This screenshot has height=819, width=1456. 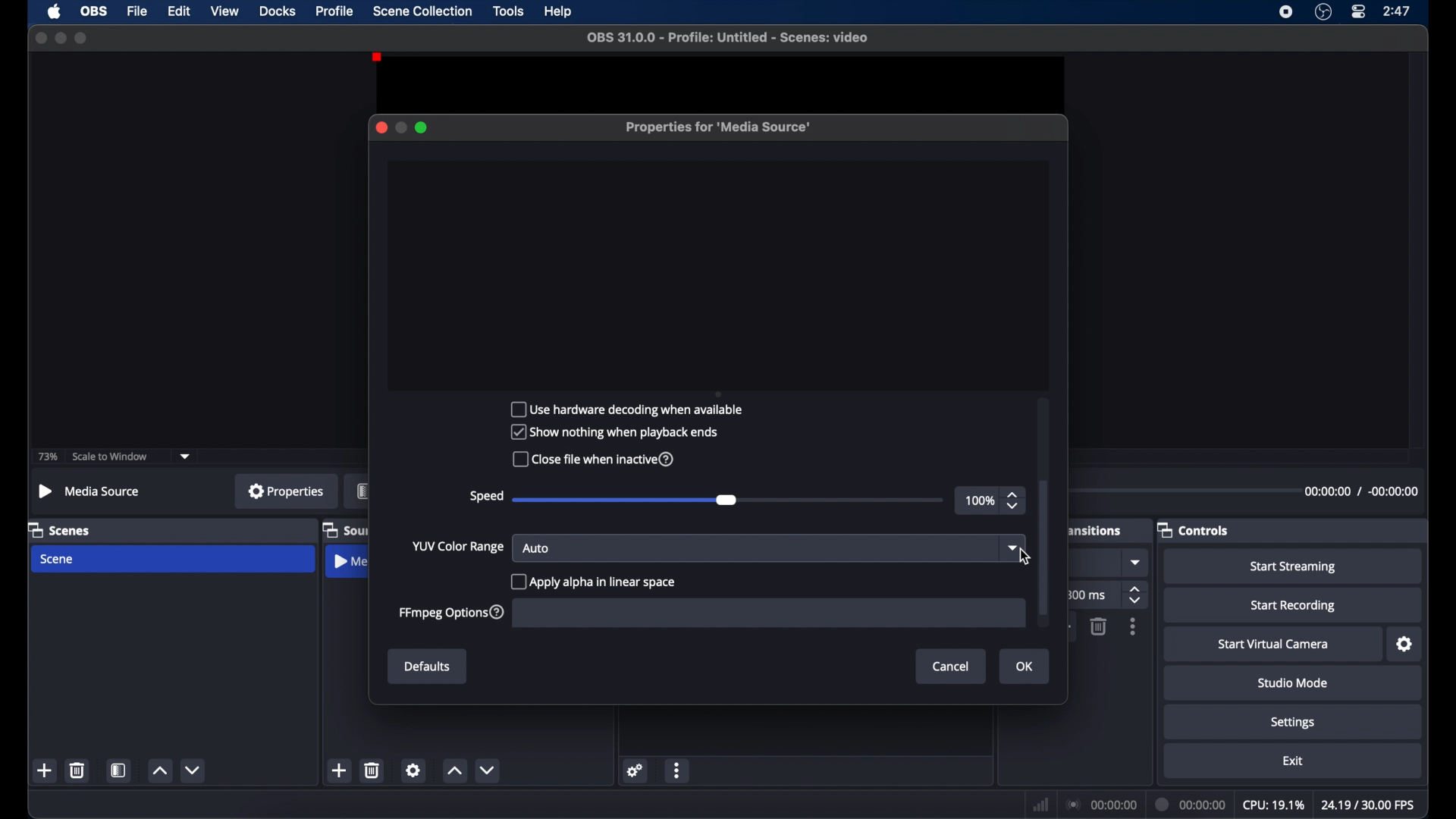 I want to click on close, so click(x=381, y=127).